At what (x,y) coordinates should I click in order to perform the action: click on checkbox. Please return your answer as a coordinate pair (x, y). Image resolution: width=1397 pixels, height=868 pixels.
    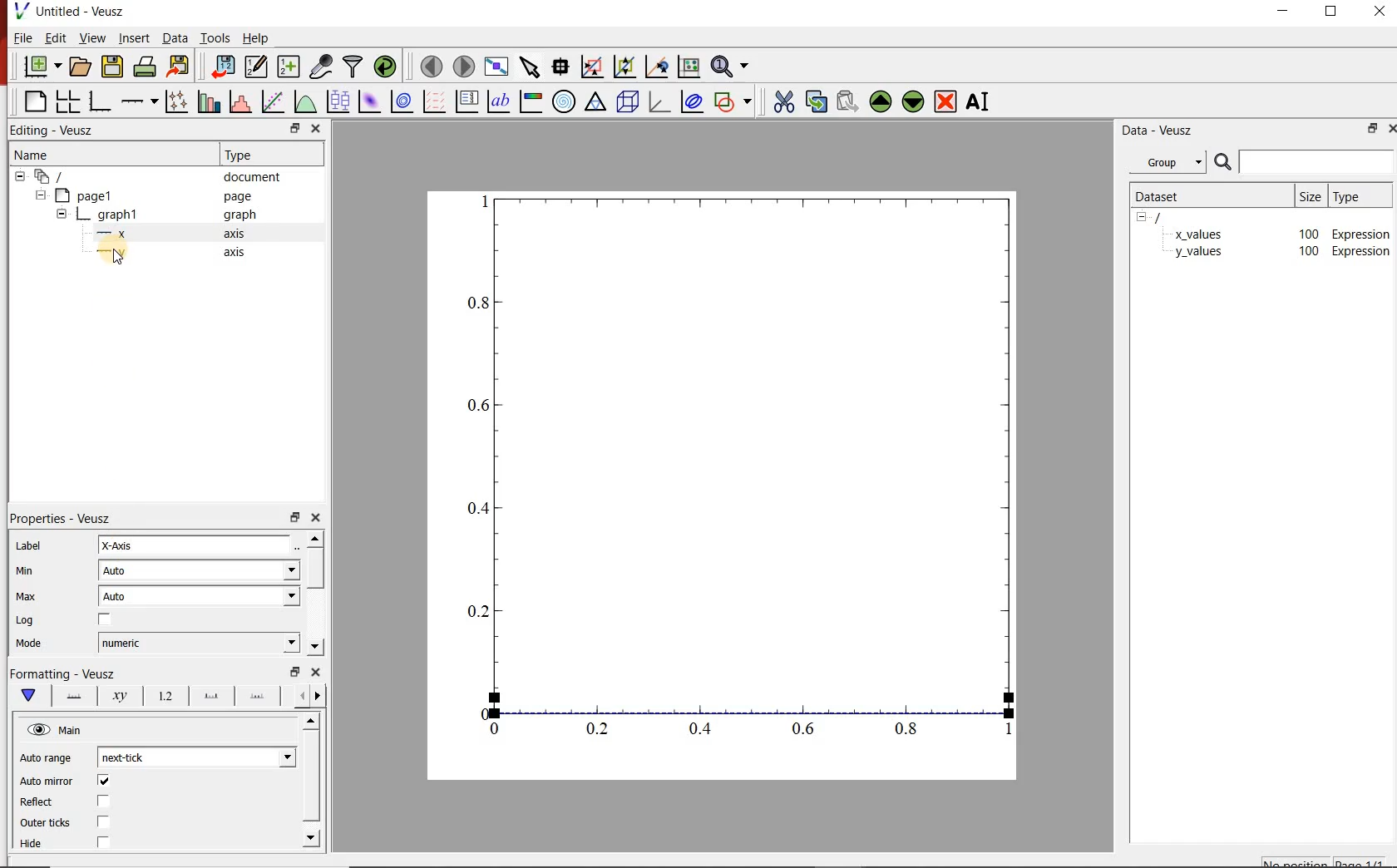
    Looking at the image, I should click on (105, 841).